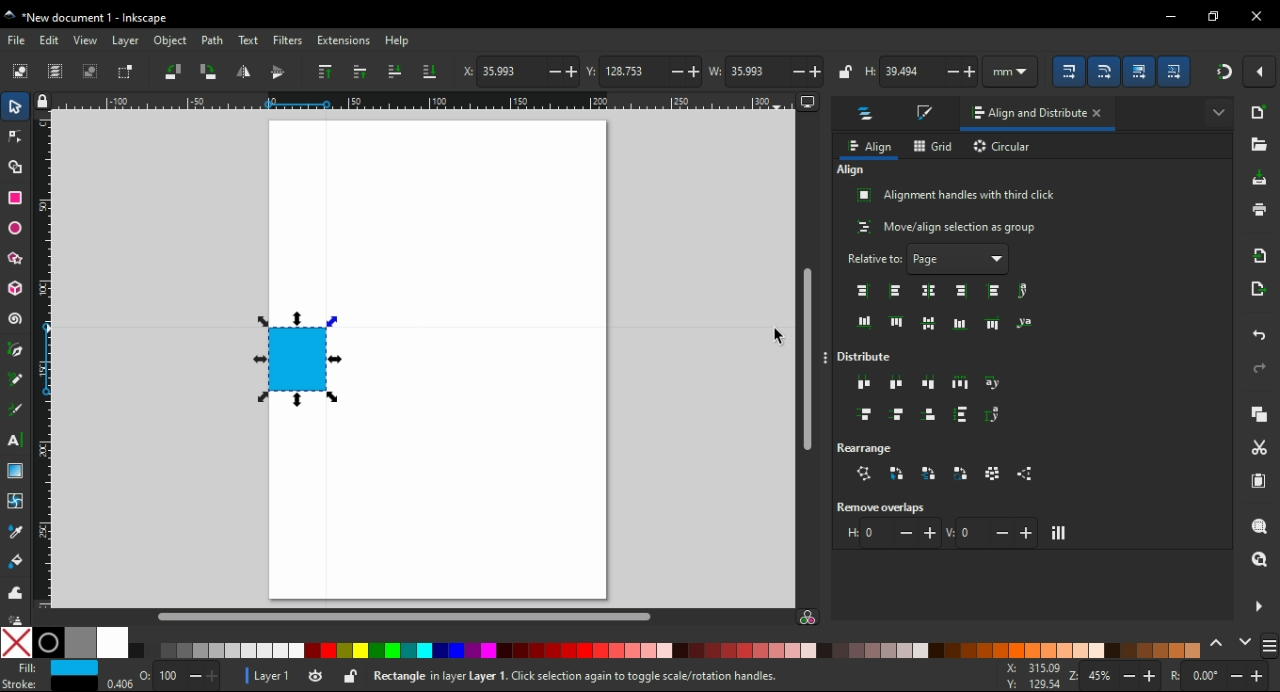 The height and width of the screenshot is (692, 1280). Describe the element at coordinates (639, 675) in the screenshot. I see `Keyboard shortcuts` at that location.